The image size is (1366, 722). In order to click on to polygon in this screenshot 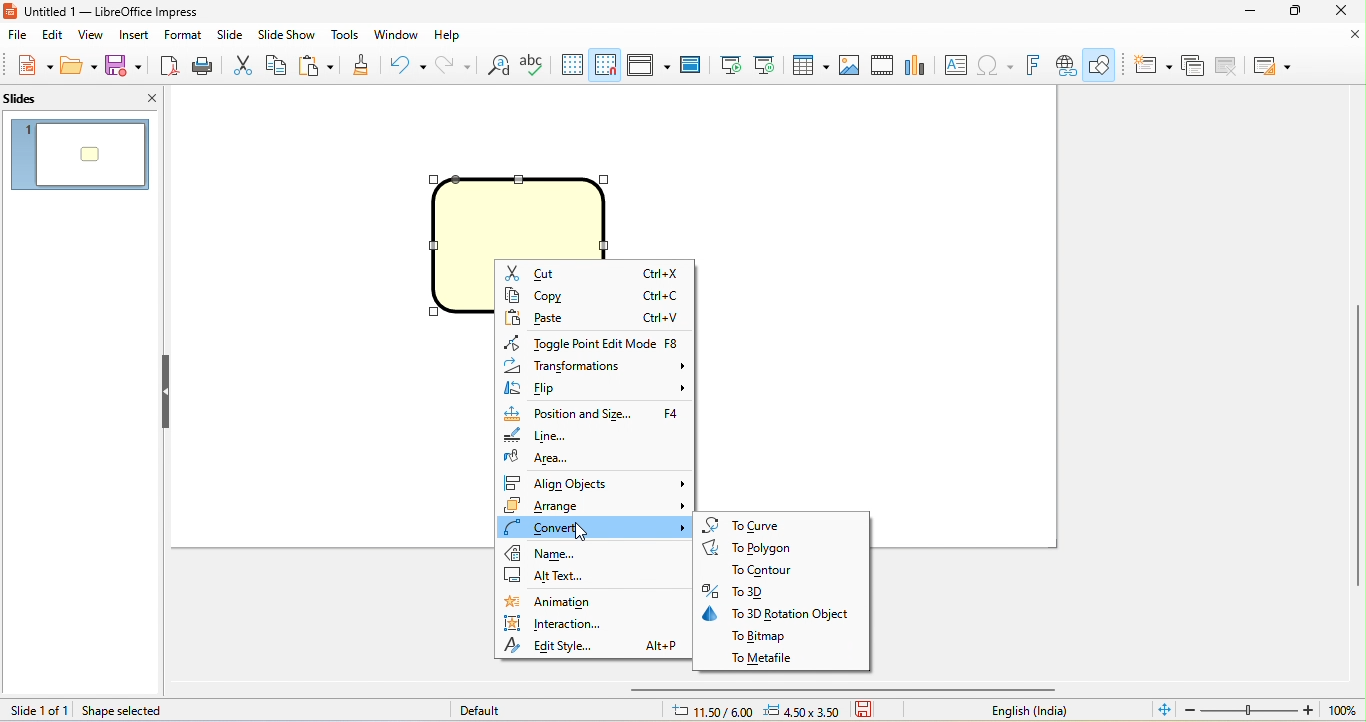, I will do `click(760, 549)`.